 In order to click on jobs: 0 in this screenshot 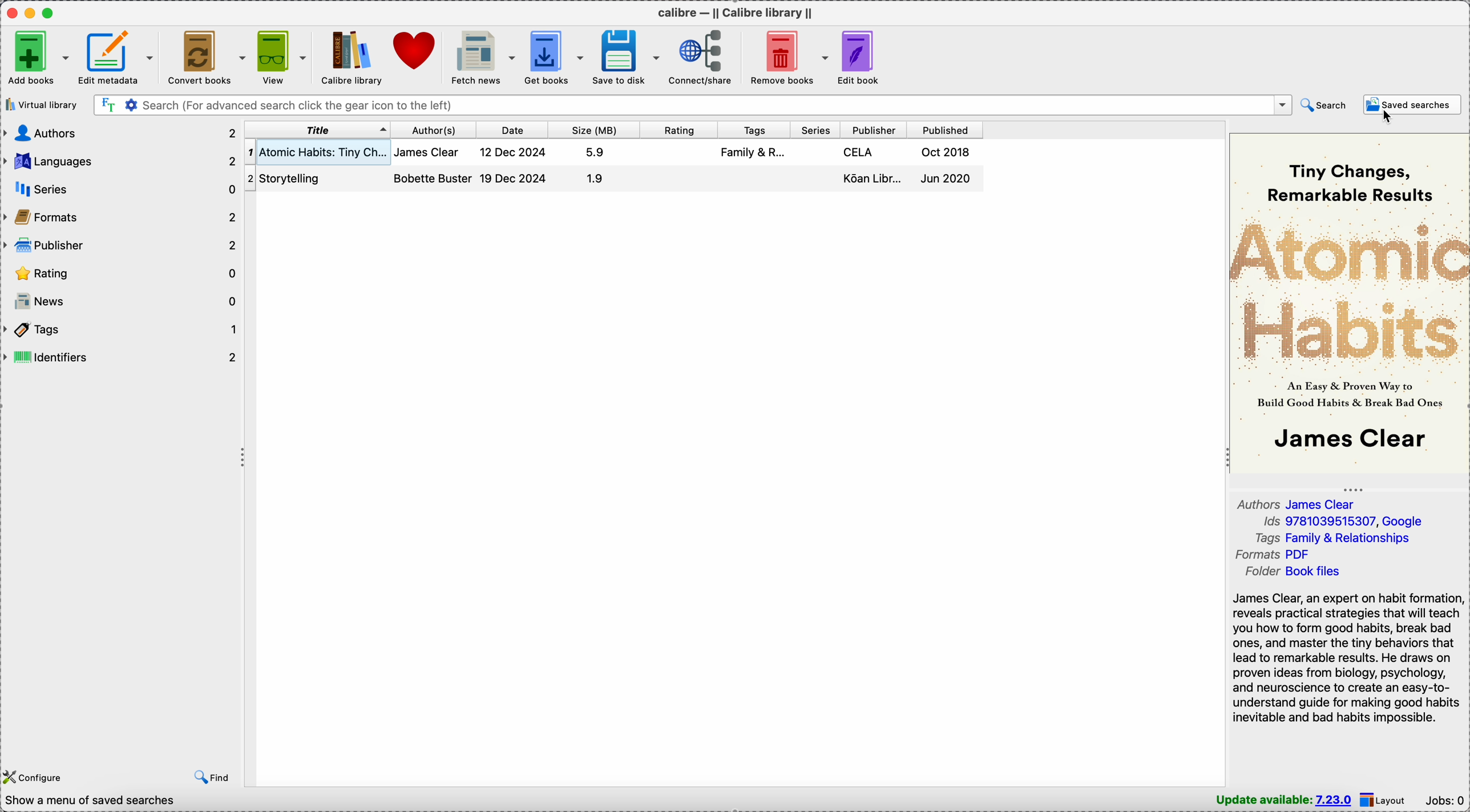, I will do `click(1446, 802)`.